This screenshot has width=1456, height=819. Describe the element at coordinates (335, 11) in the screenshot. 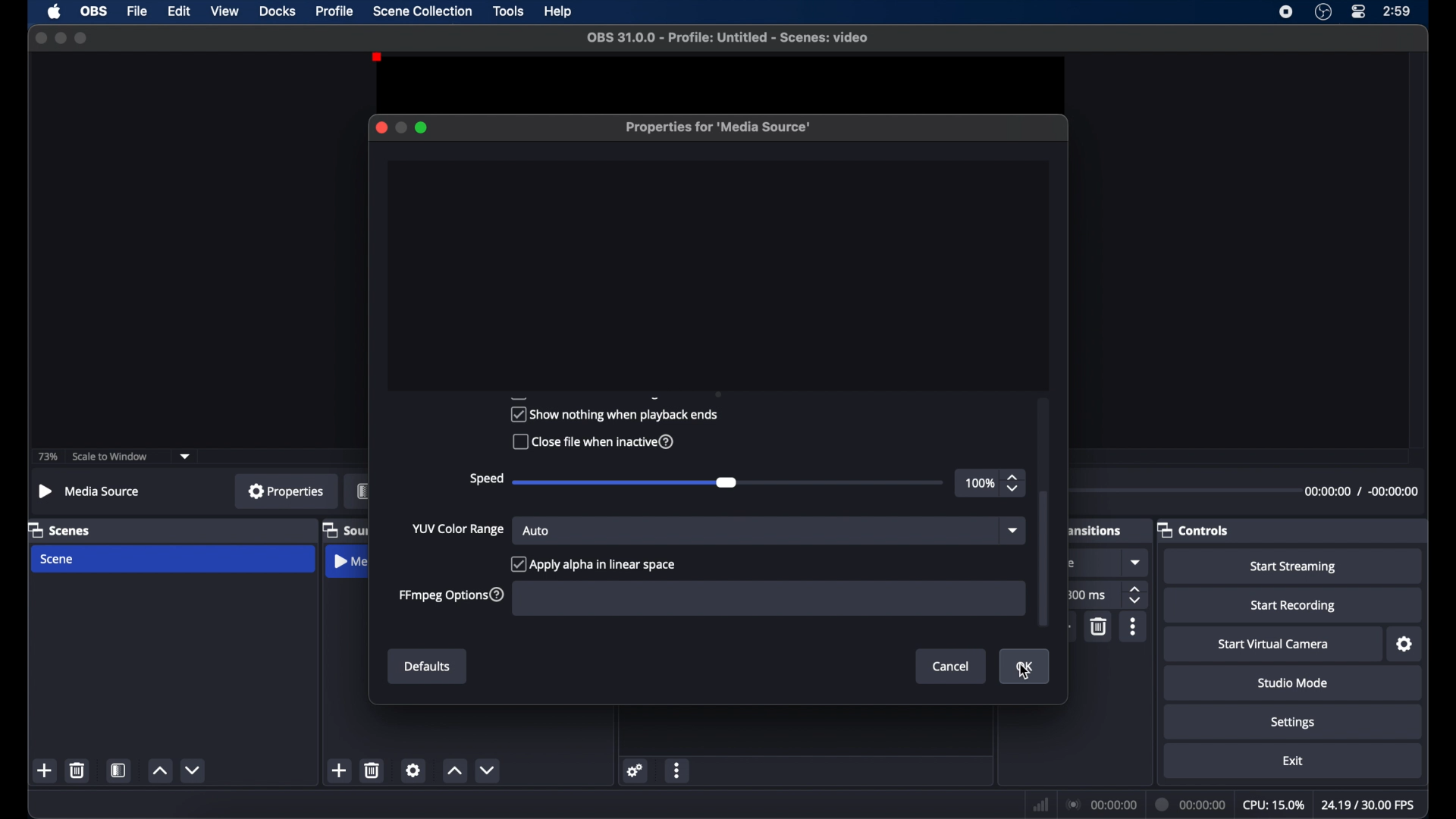

I see `profile` at that location.